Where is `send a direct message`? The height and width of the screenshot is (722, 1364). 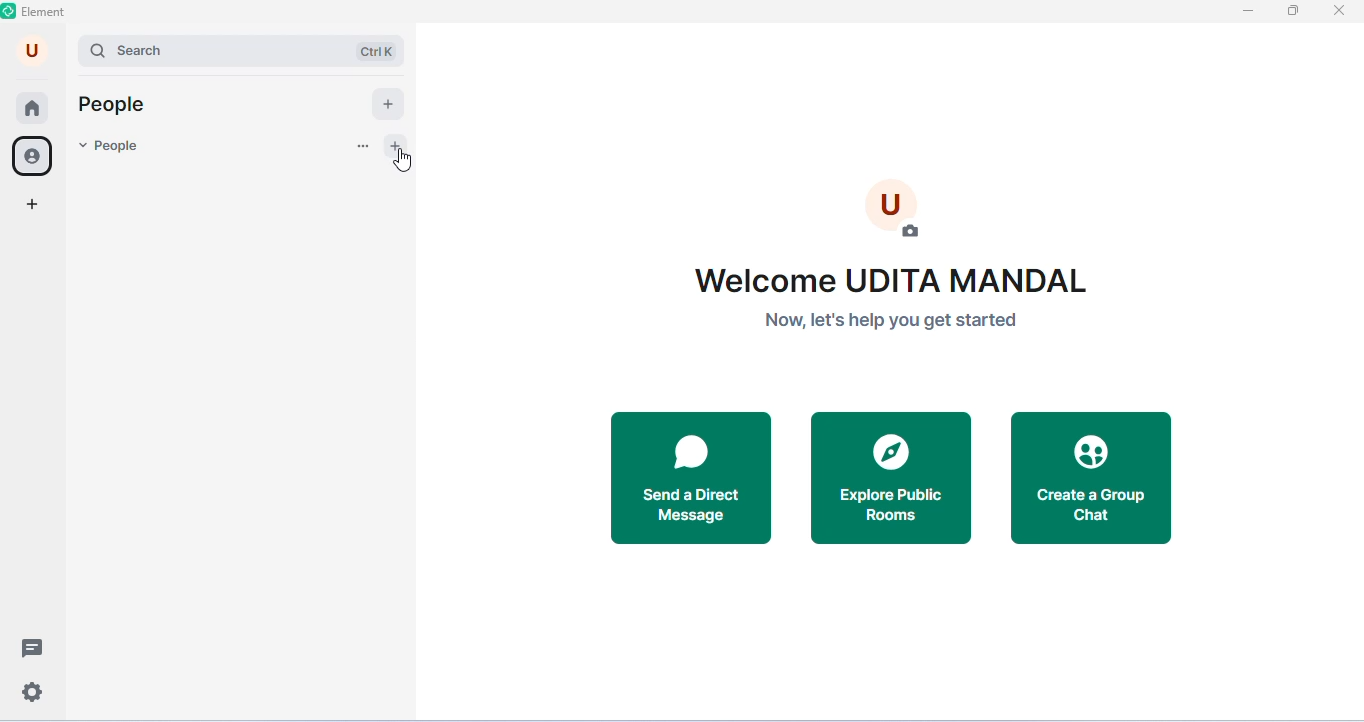 send a direct message is located at coordinates (691, 479).